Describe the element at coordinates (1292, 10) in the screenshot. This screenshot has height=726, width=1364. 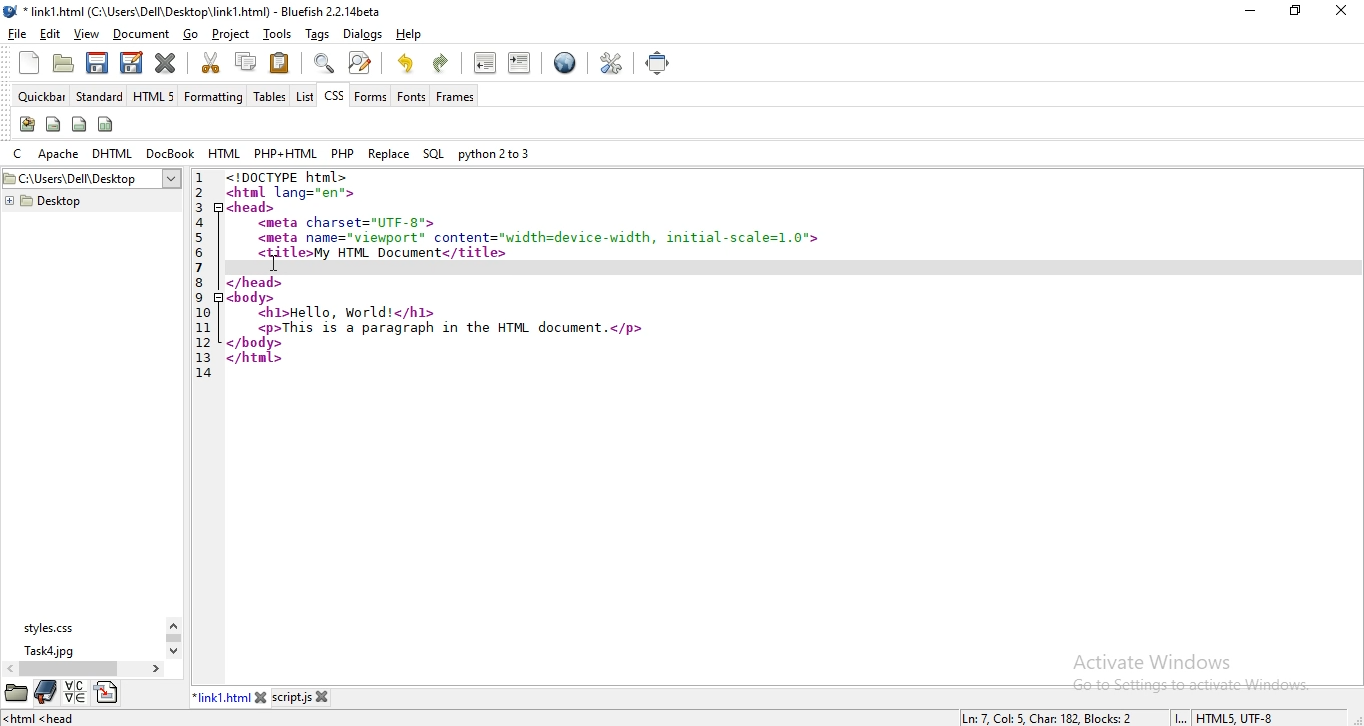
I see `restore window` at that location.